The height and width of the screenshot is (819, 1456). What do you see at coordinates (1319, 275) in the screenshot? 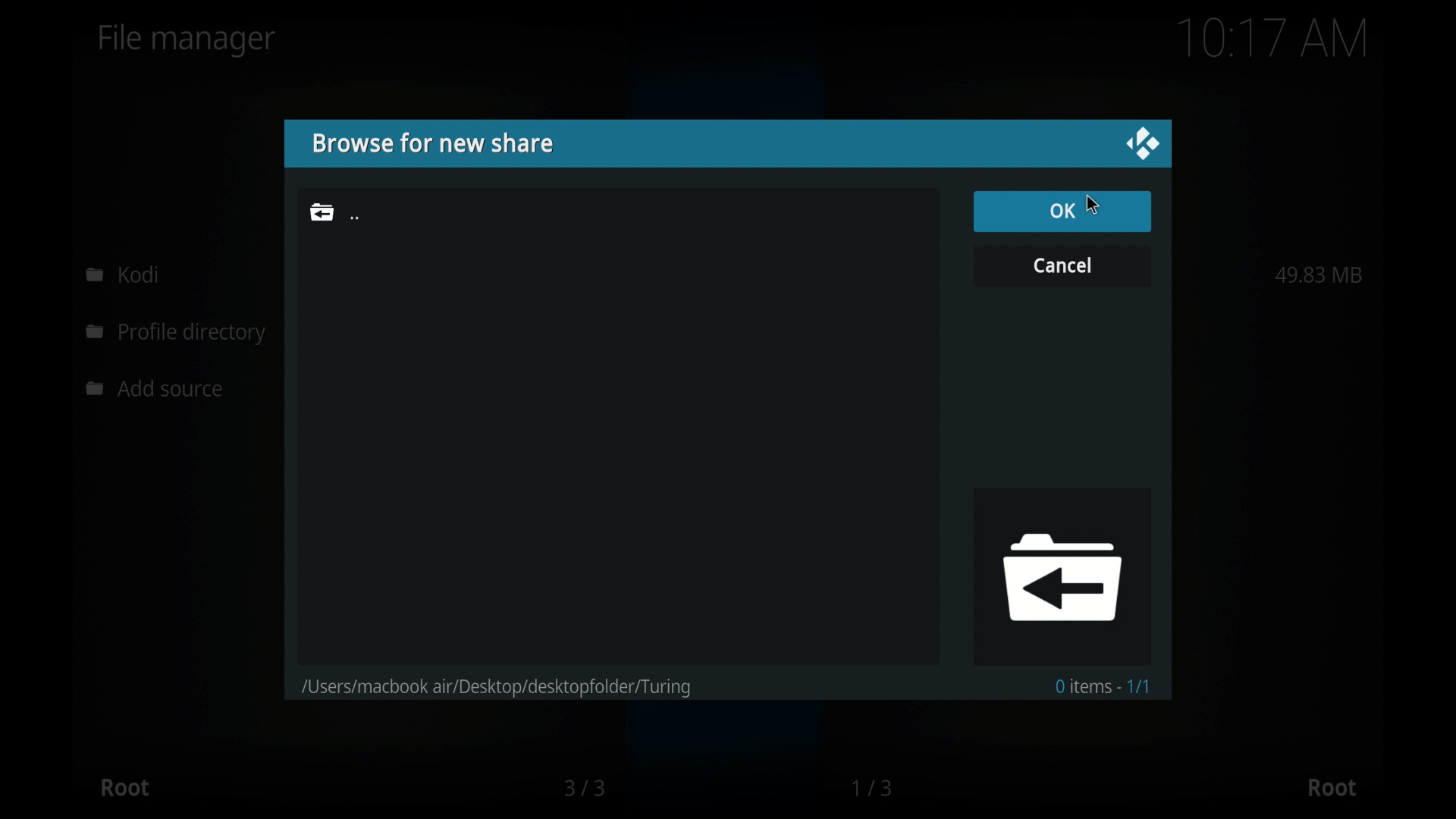
I see `49.83 MB` at bounding box center [1319, 275].